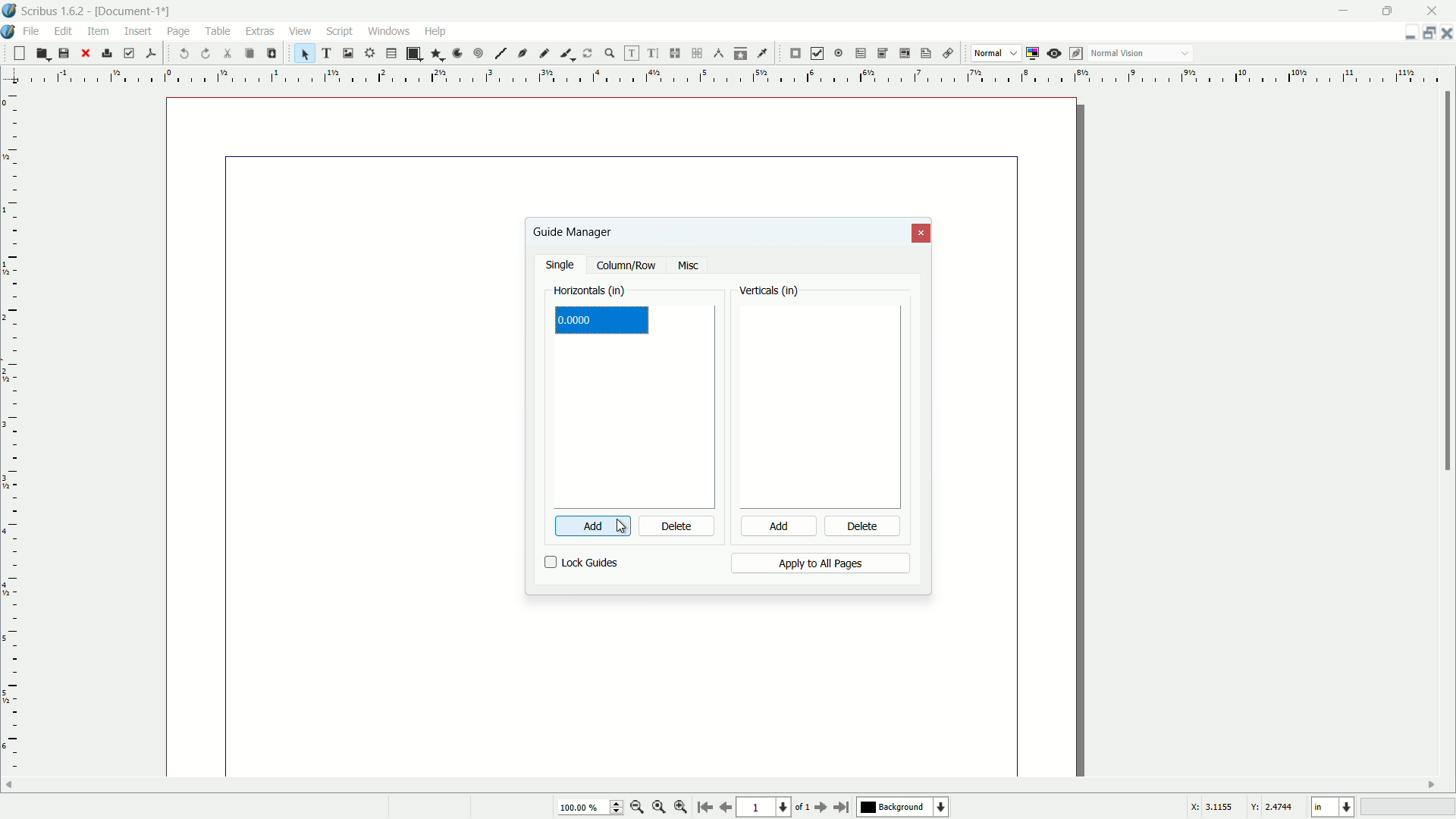  I want to click on lock guides, so click(582, 563).